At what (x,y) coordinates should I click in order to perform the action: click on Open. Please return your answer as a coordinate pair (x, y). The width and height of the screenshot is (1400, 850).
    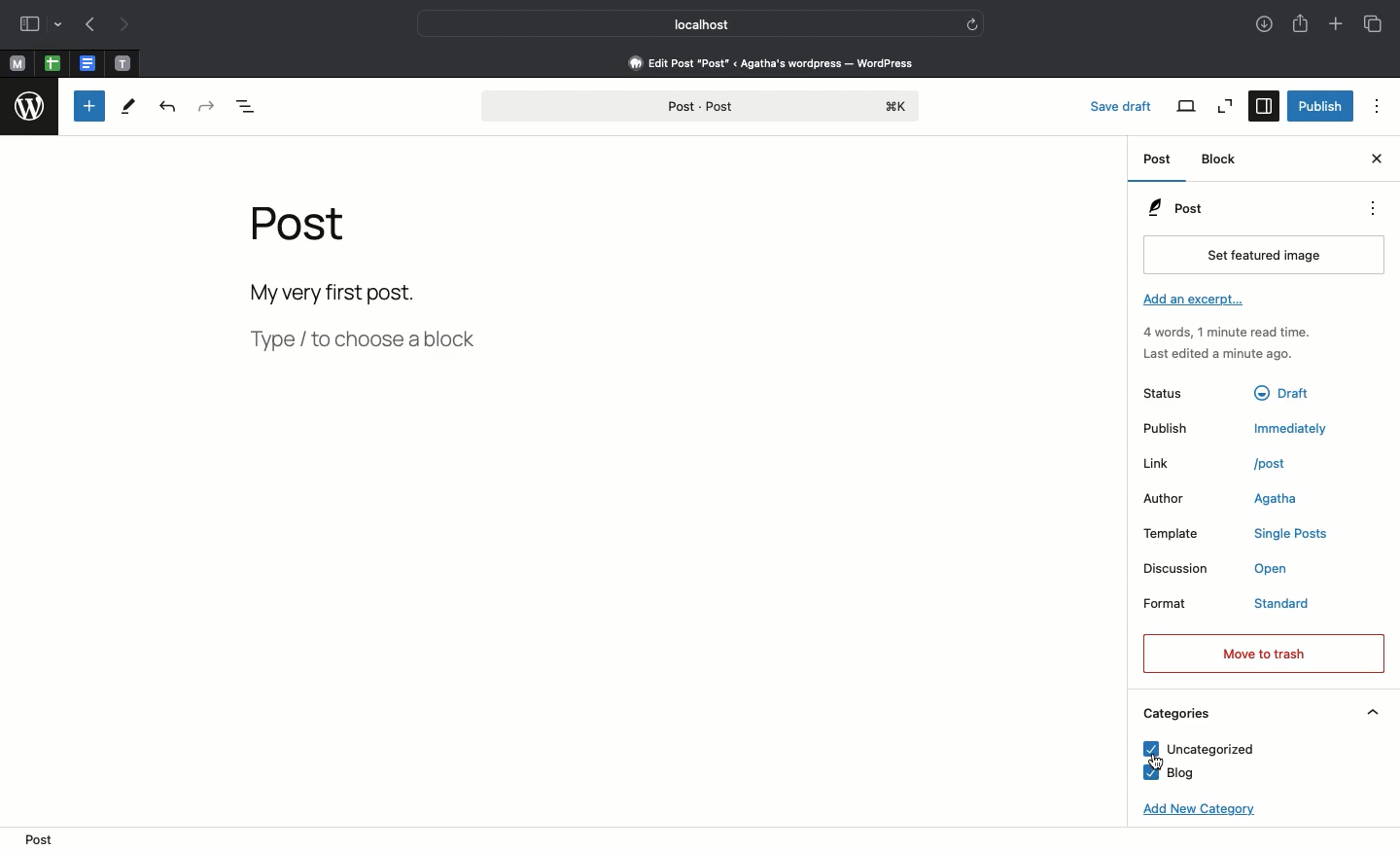
    Looking at the image, I should click on (1281, 571).